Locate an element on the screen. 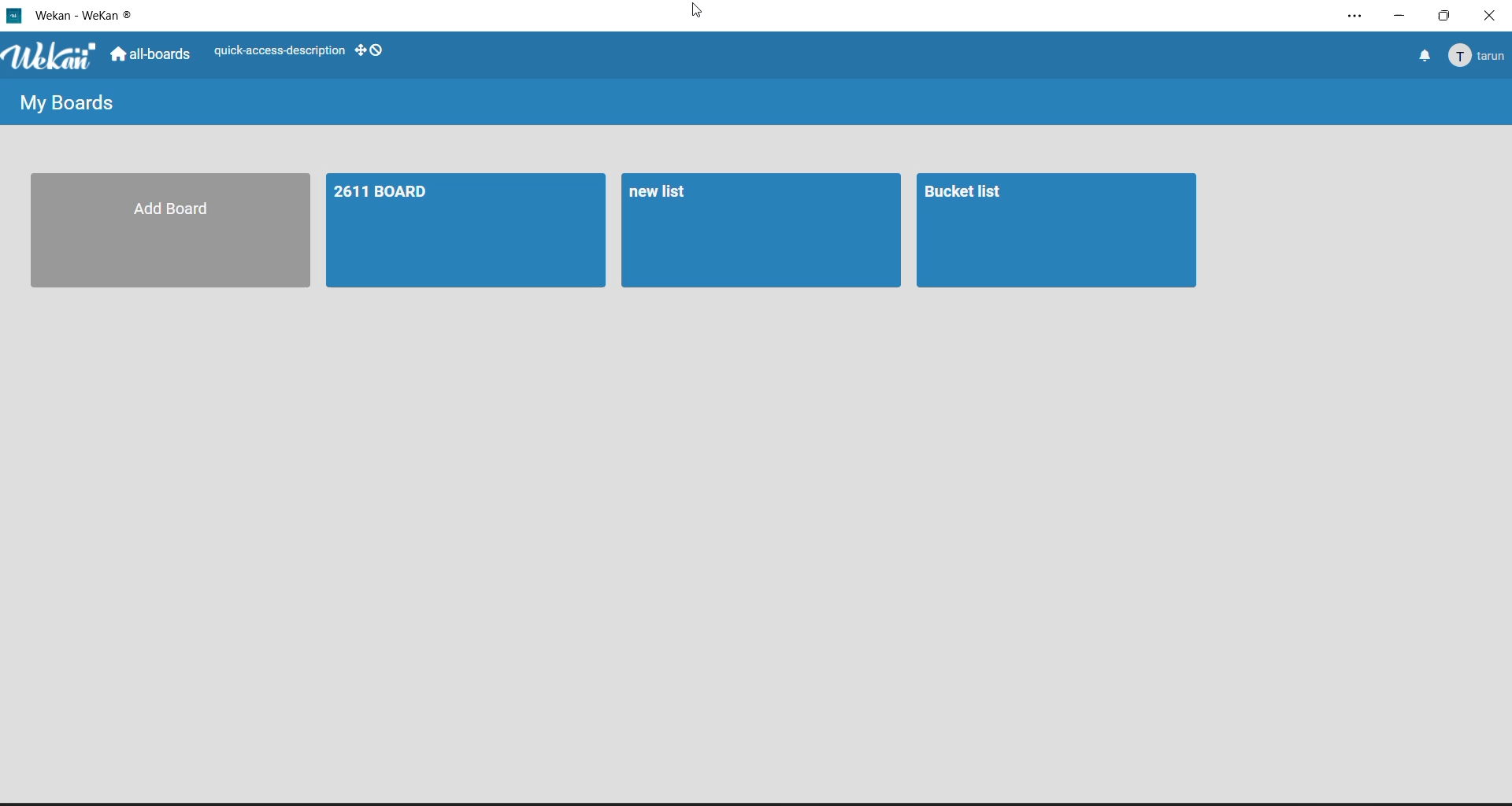  new list is located at coordinates (761, 232).